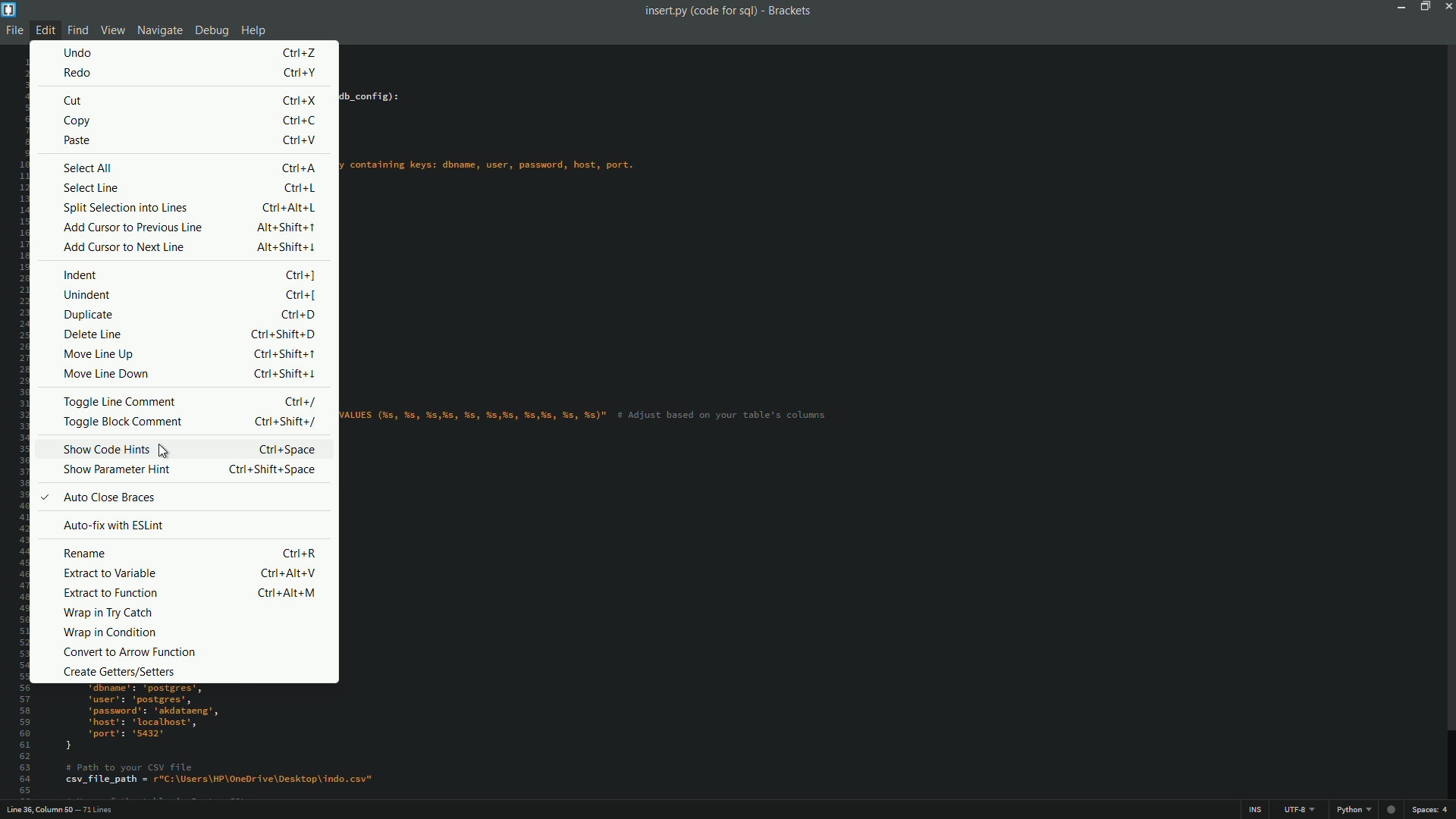 The image size is (1456, 819). I want to click on move line down, so click(108, 372).